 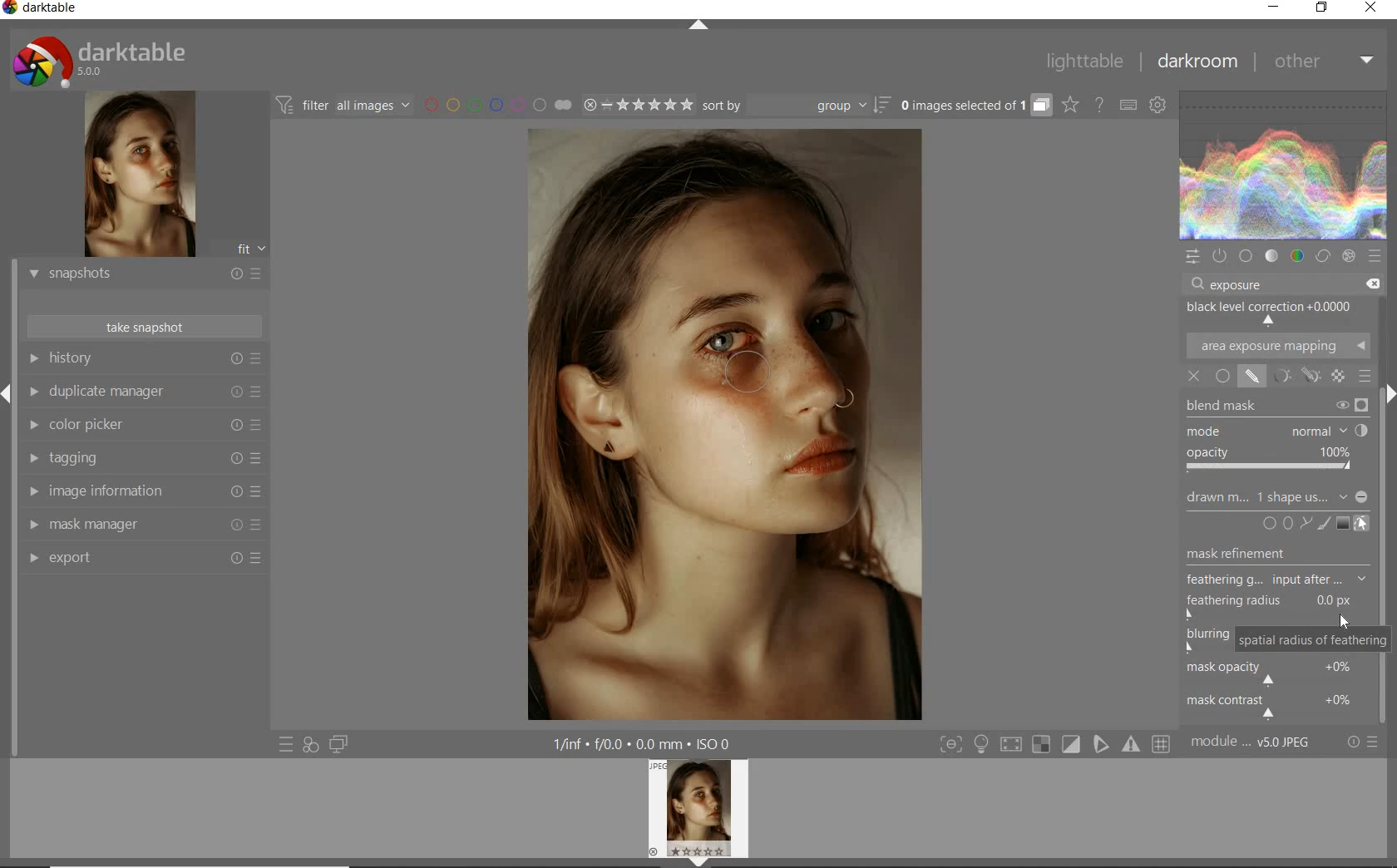 I want to click on quick access panel, so click(x=1191, y=257).